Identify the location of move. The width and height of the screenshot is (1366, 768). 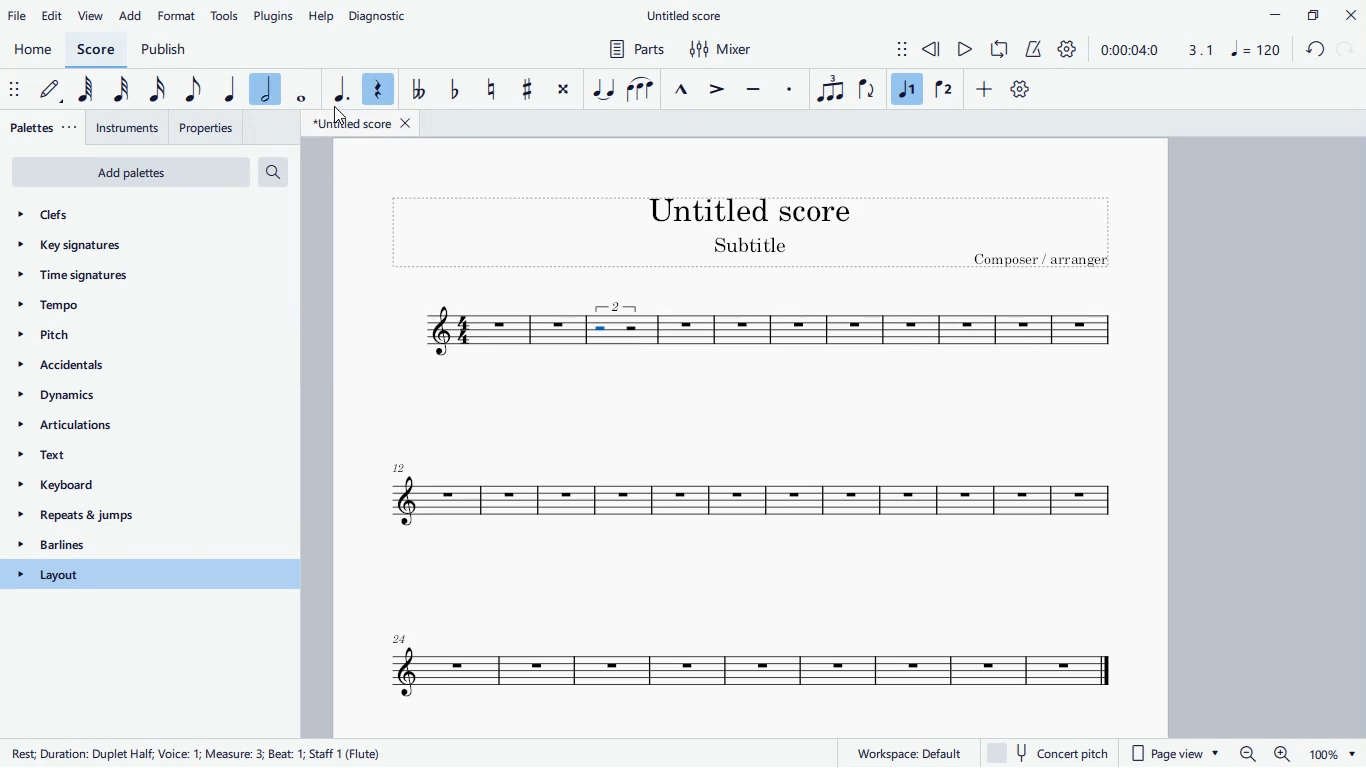
(890, 47).